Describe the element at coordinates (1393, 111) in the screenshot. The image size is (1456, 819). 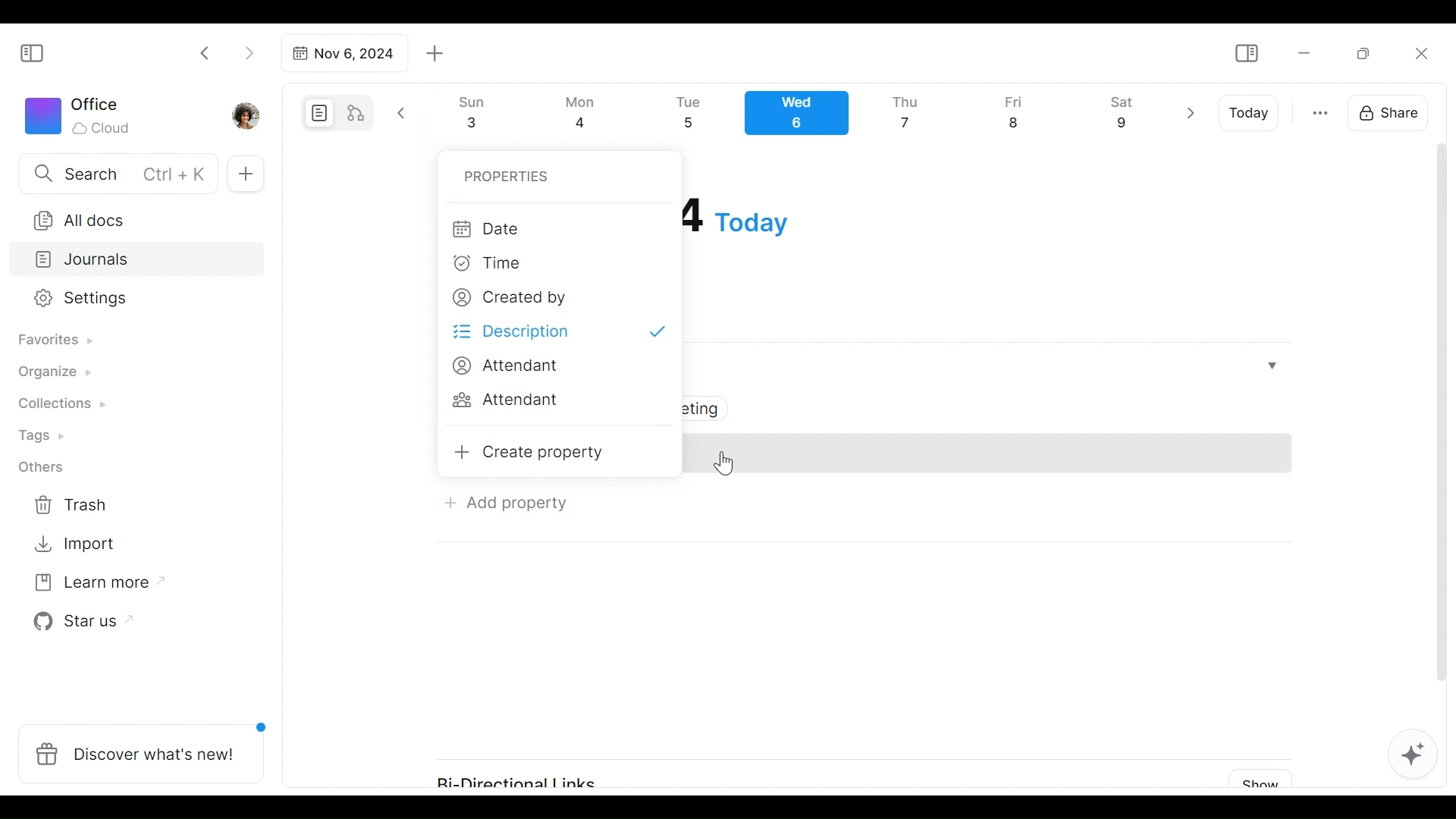
I see `Share` at that location.